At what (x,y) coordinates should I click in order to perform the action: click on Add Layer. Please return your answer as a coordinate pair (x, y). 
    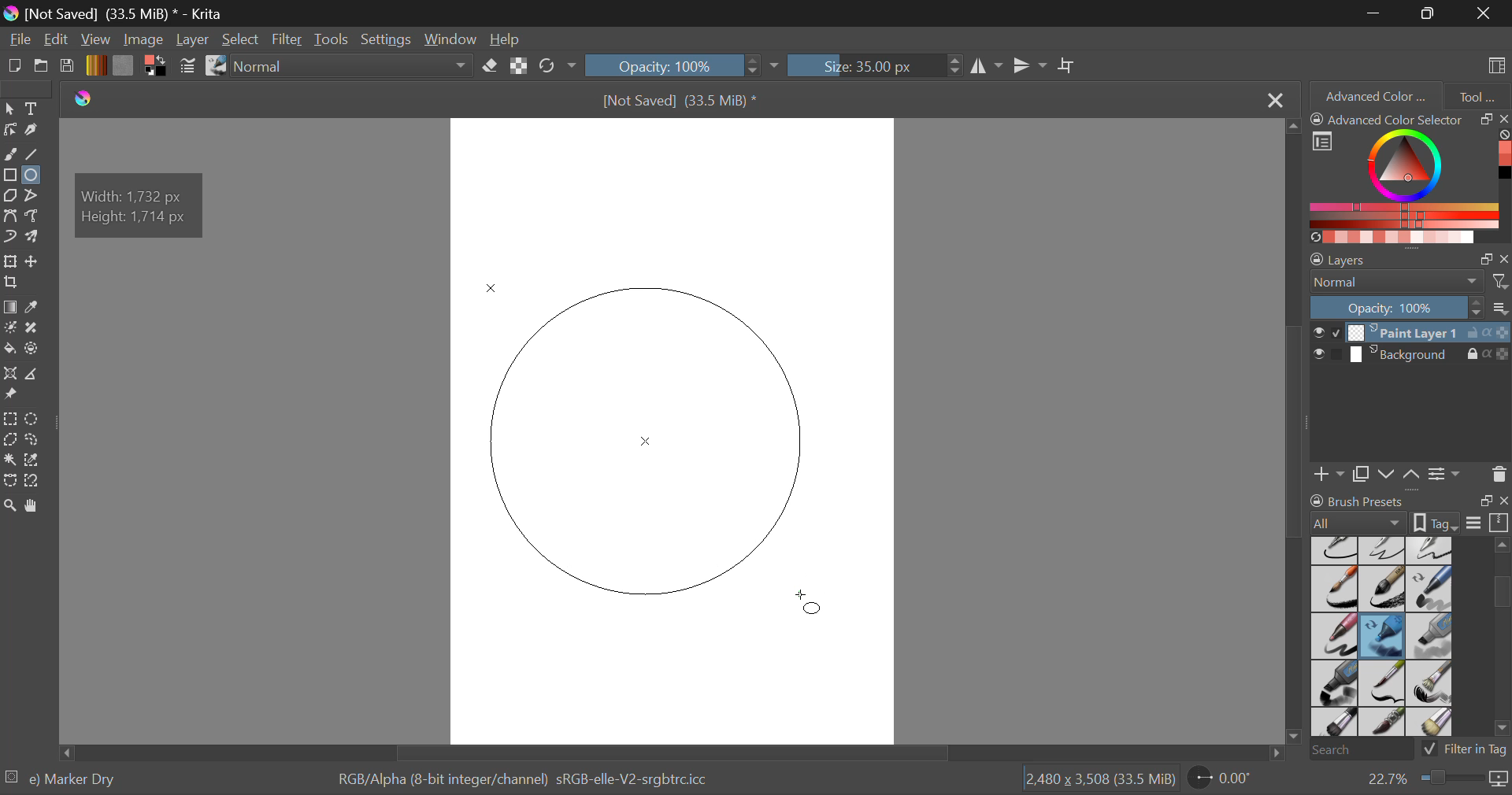
    Looking at the image, I should click on (1329, 472).